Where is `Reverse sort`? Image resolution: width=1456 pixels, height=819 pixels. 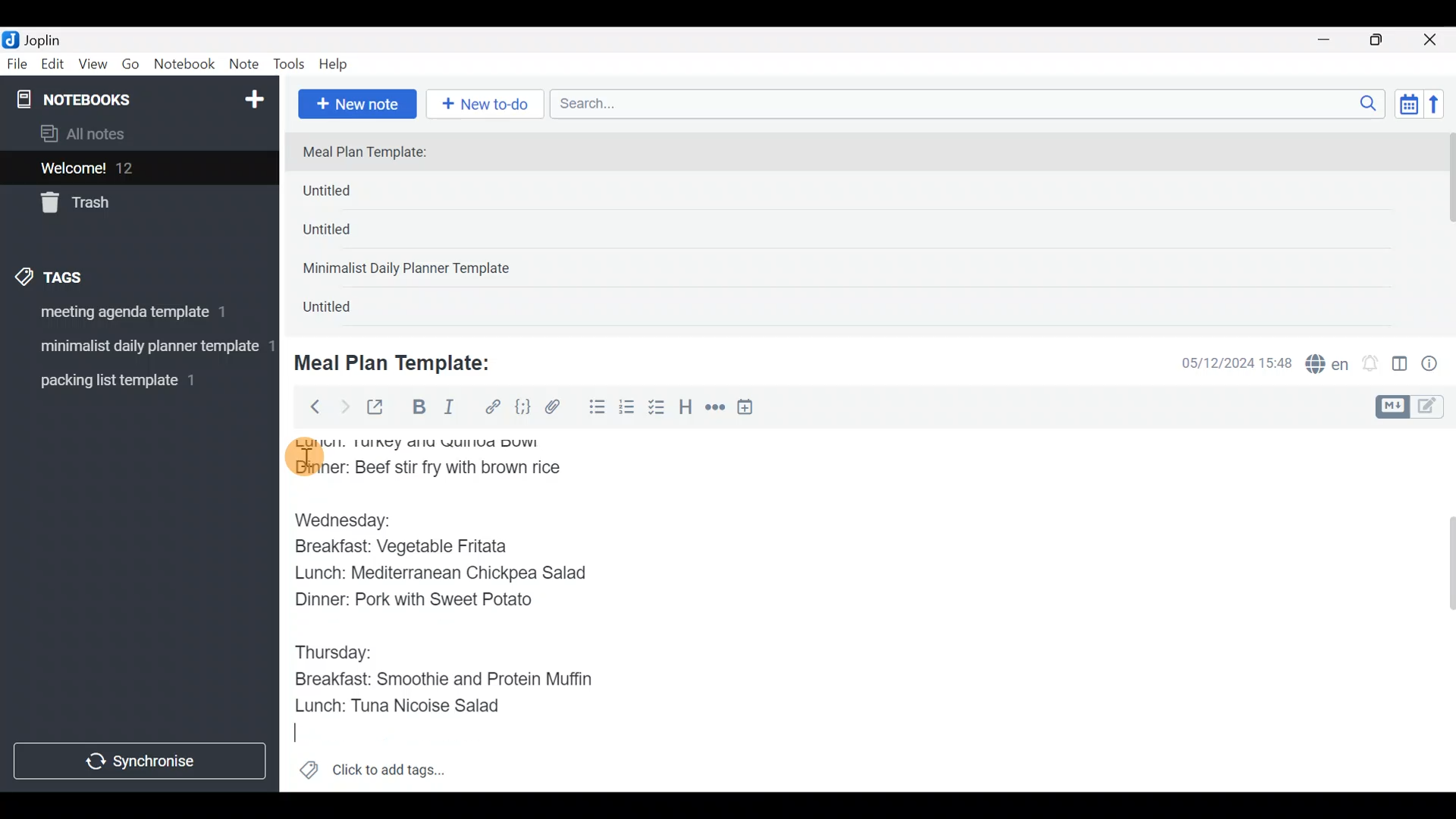
Reverse sort is located at coordinates (1442, 108).